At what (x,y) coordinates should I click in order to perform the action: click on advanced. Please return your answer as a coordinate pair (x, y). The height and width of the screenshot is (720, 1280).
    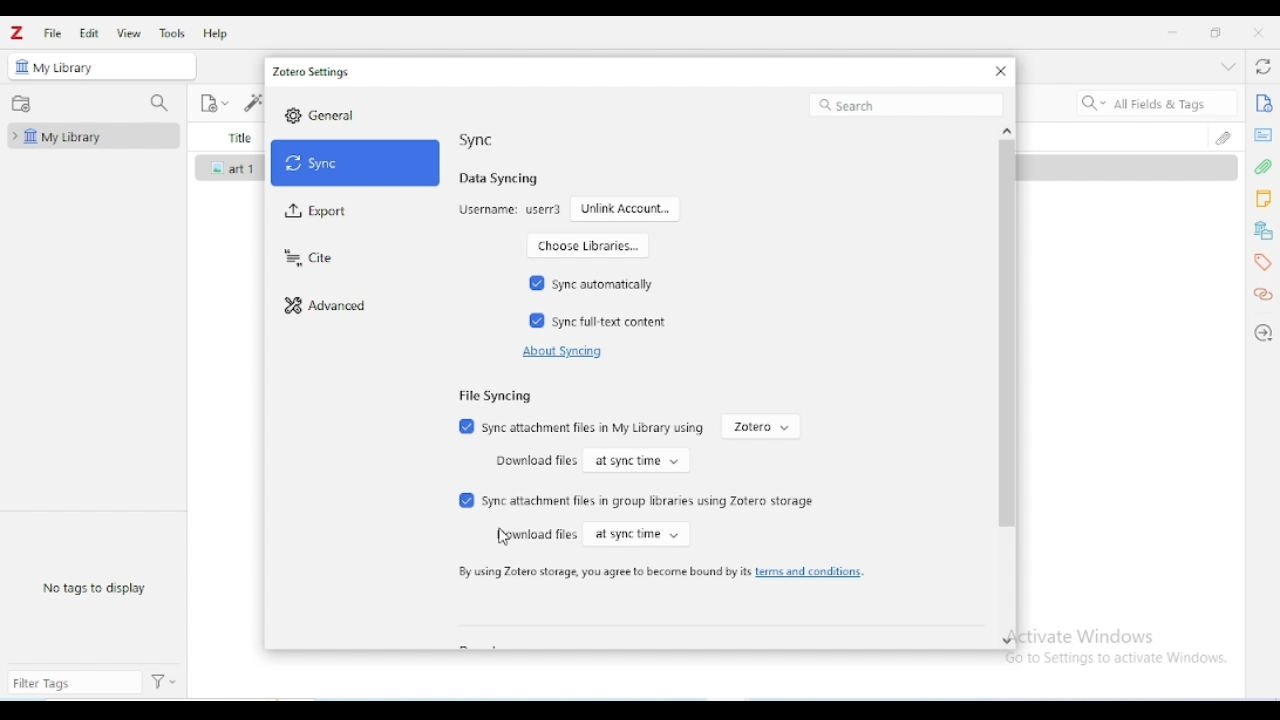
    Looking at the image, I should click on (326, 307).